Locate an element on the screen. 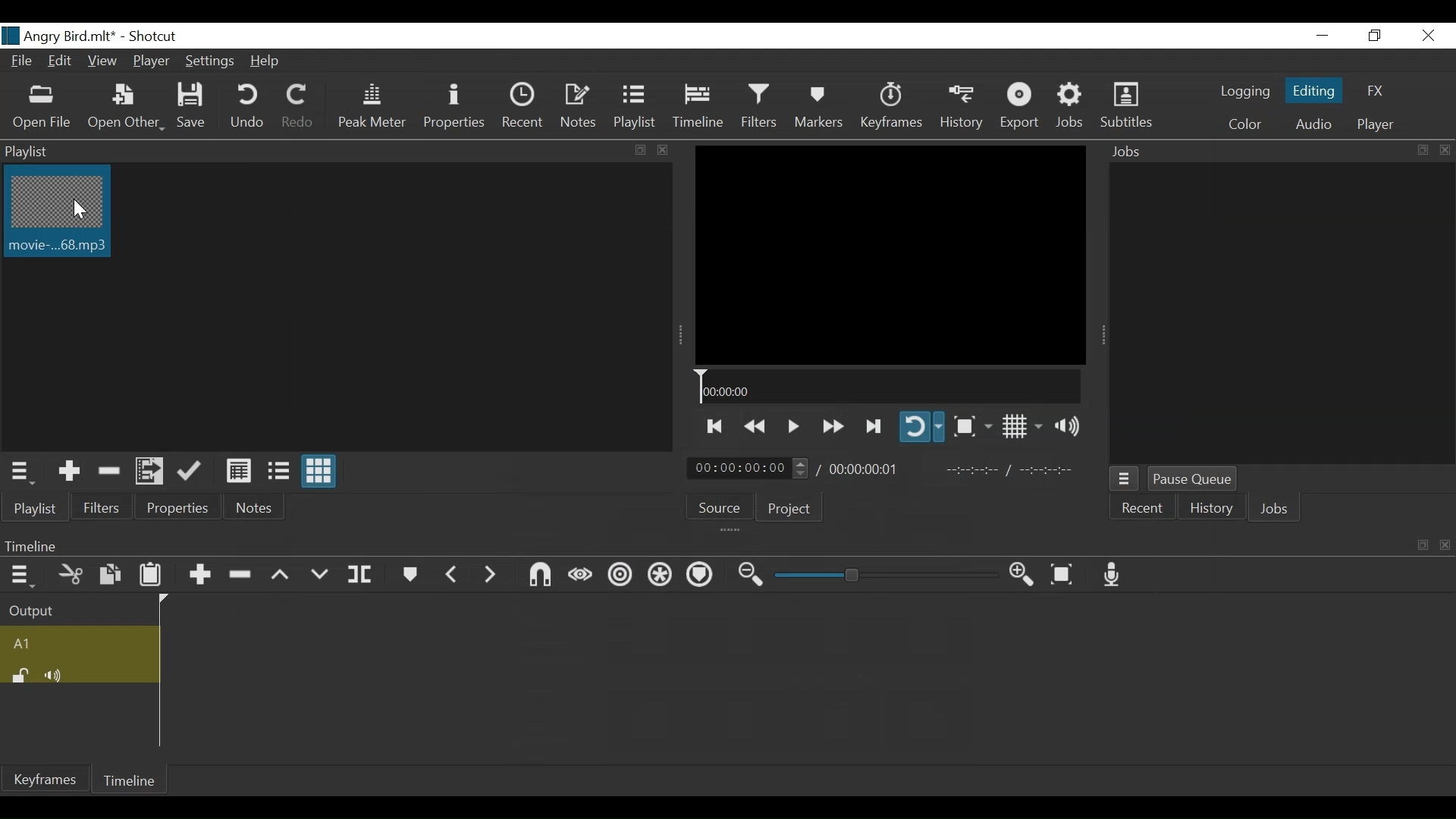 The image size is (1456, 819). Playlist menu is located at coordinates (27, 471).